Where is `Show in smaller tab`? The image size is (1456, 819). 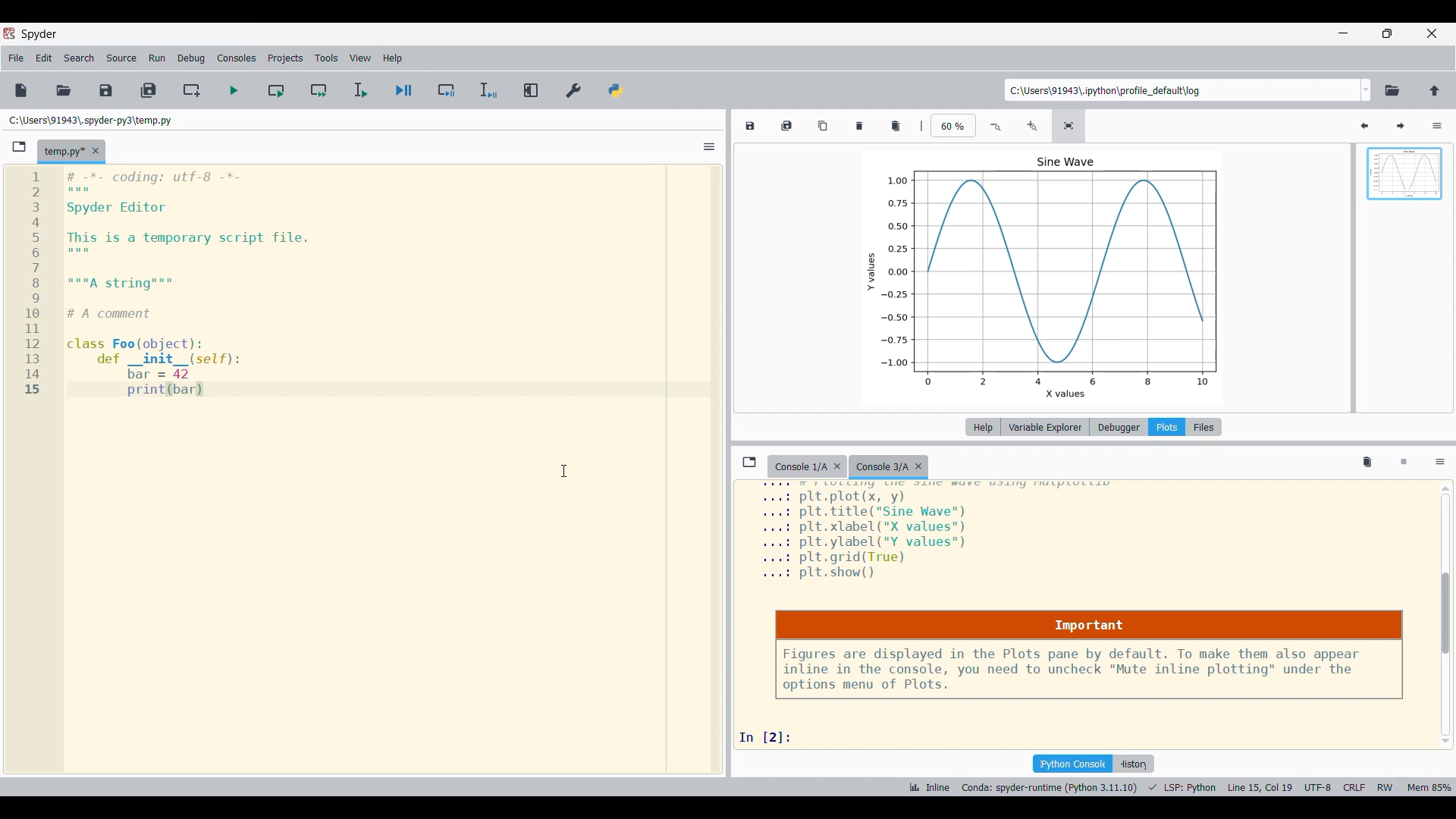
Show in smaller tab is located at coordinates (1387, 33).